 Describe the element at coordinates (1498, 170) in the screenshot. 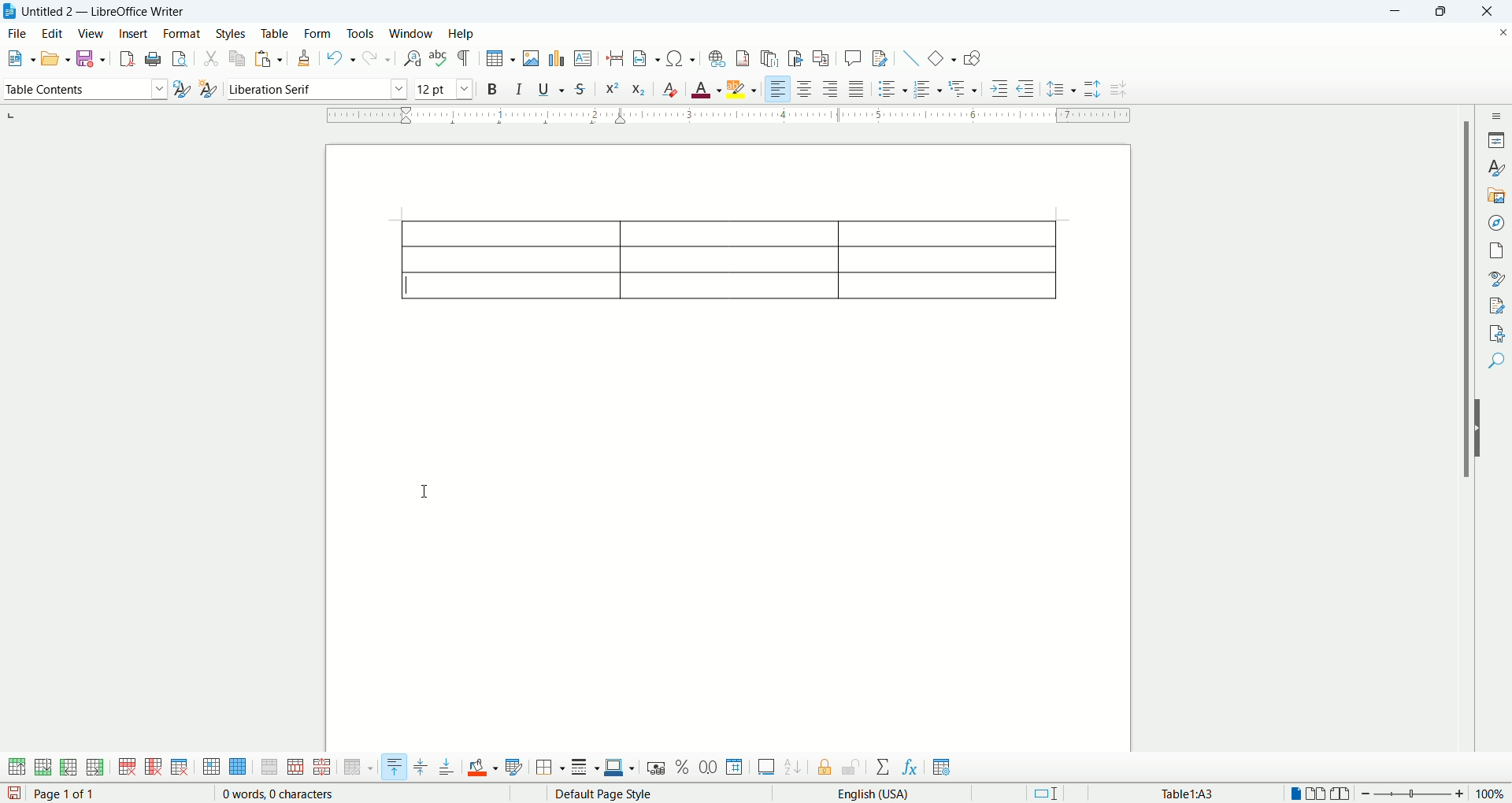

I see `style` at that location.